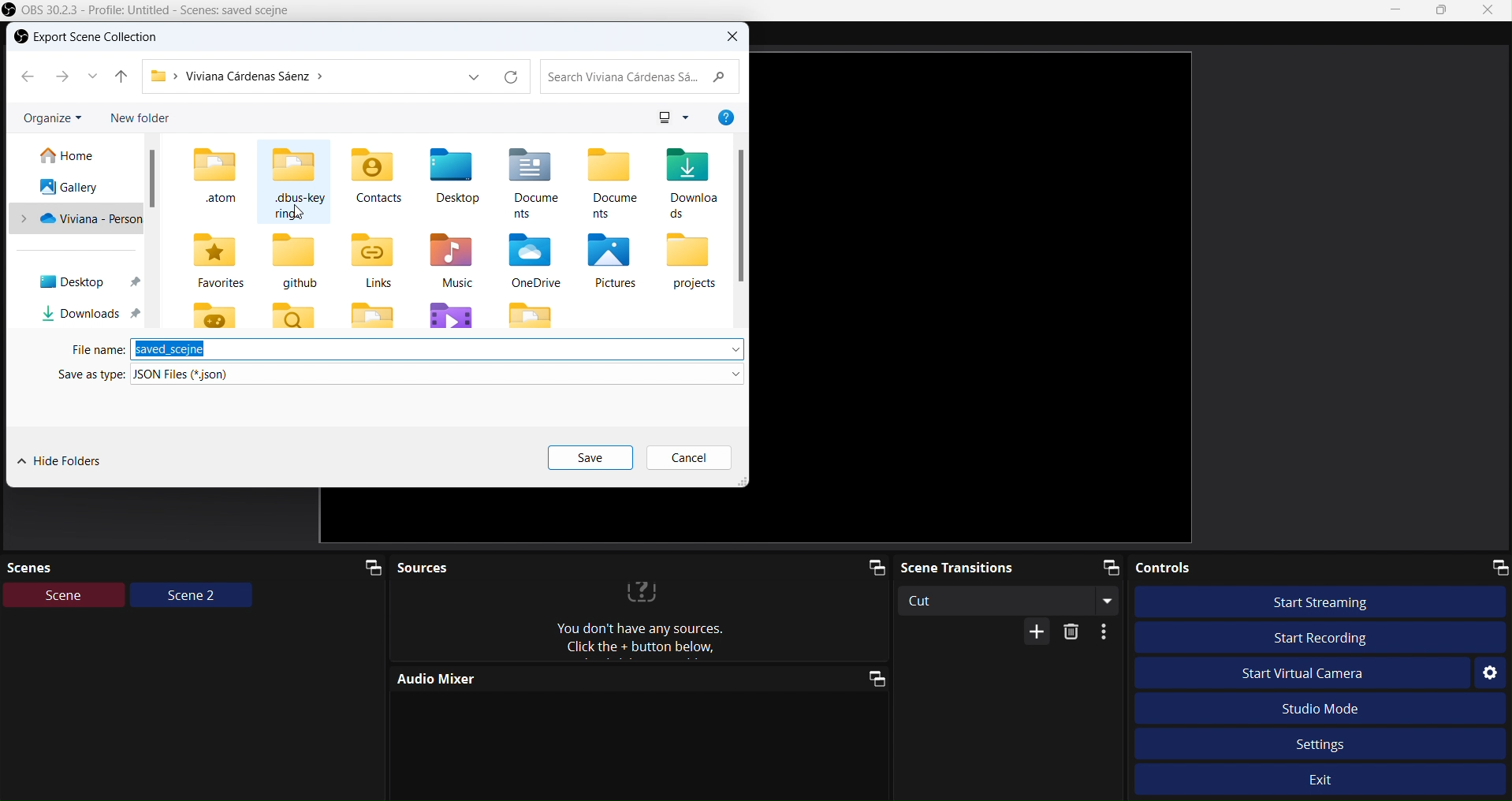  Describe the element at coordinates (1300, 672) in the screenshot. I see `Start Virtual Camera` at that location.